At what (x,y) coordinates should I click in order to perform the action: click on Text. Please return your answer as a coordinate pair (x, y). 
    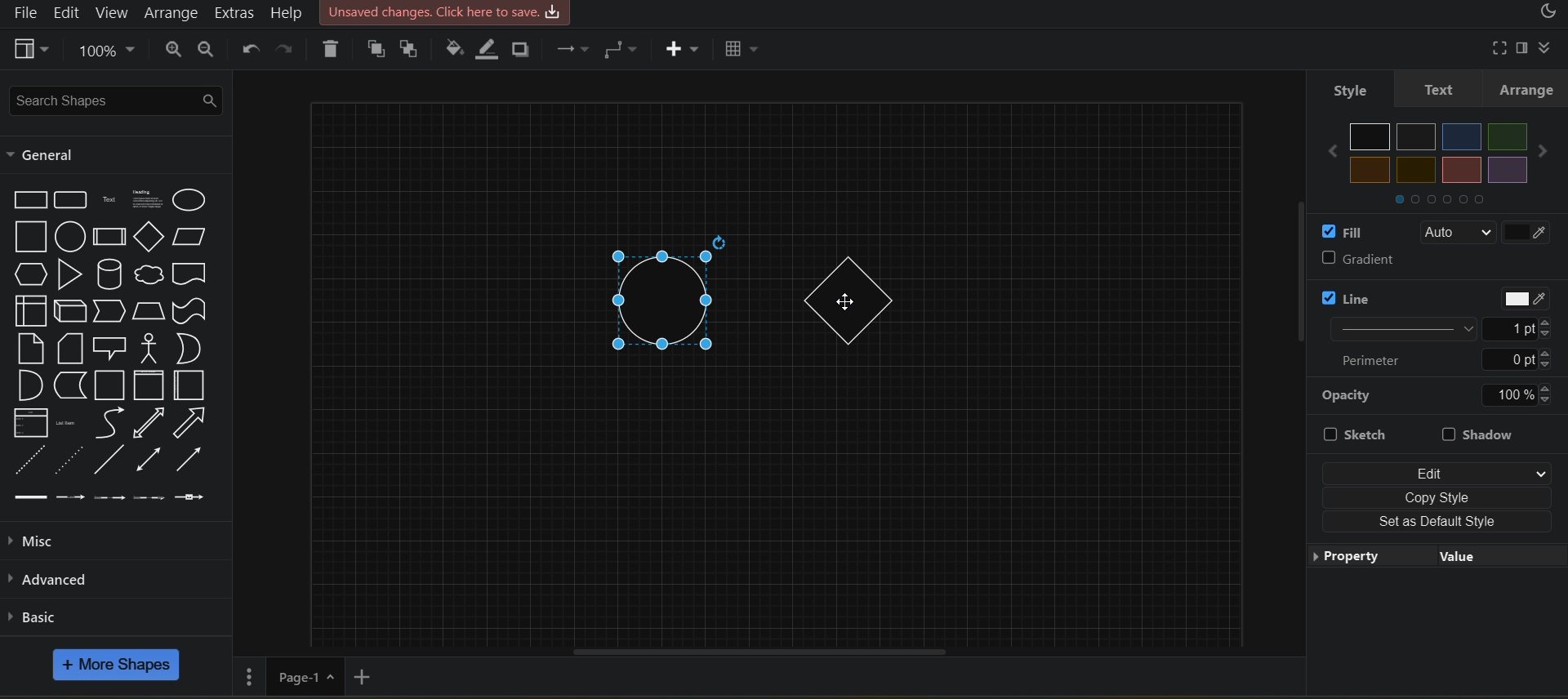
    Looking at the image, I should click on (110, 199).